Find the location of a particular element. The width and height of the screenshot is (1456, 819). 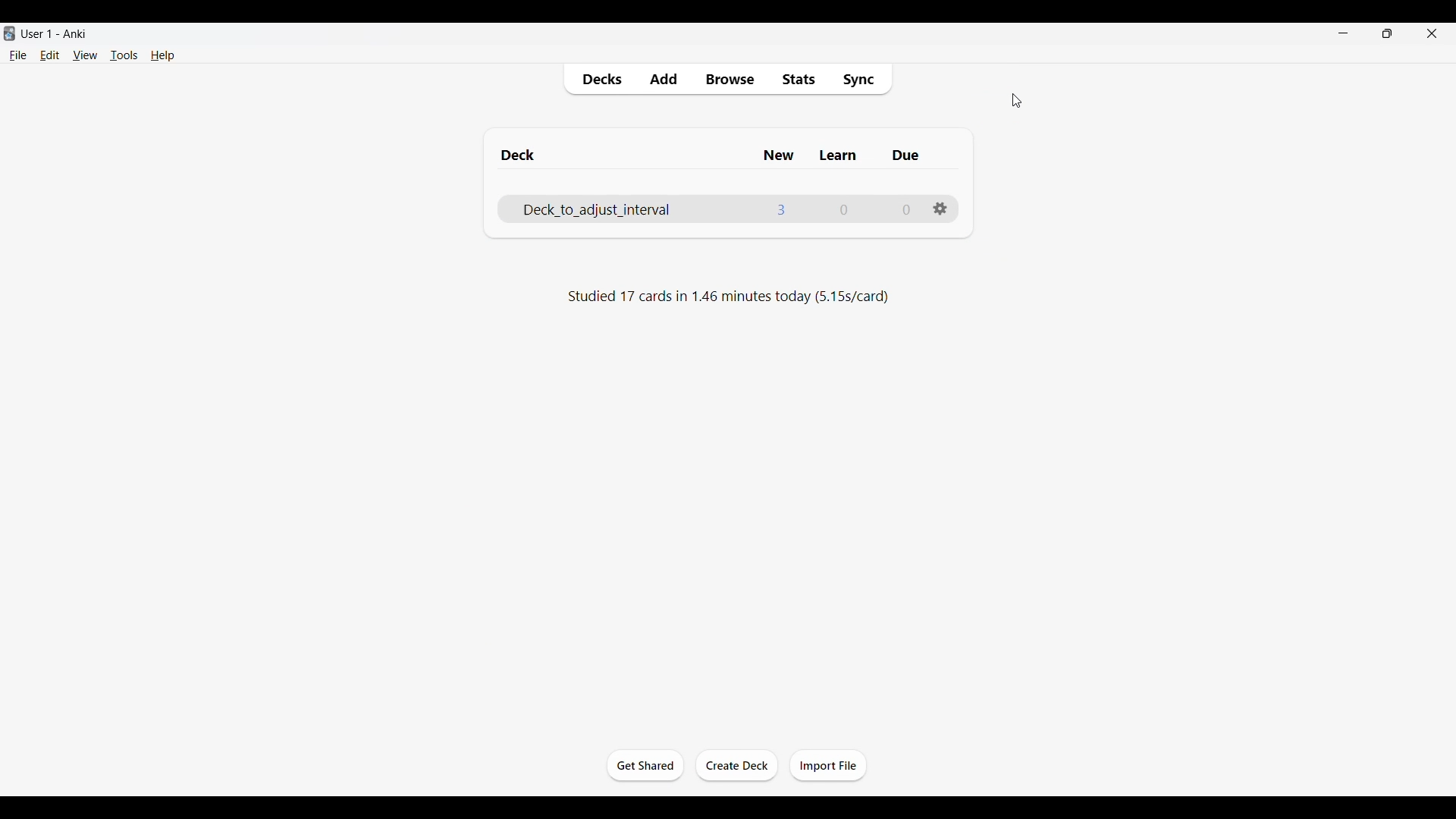

Number of new cards is located at coordinates (780, 209).